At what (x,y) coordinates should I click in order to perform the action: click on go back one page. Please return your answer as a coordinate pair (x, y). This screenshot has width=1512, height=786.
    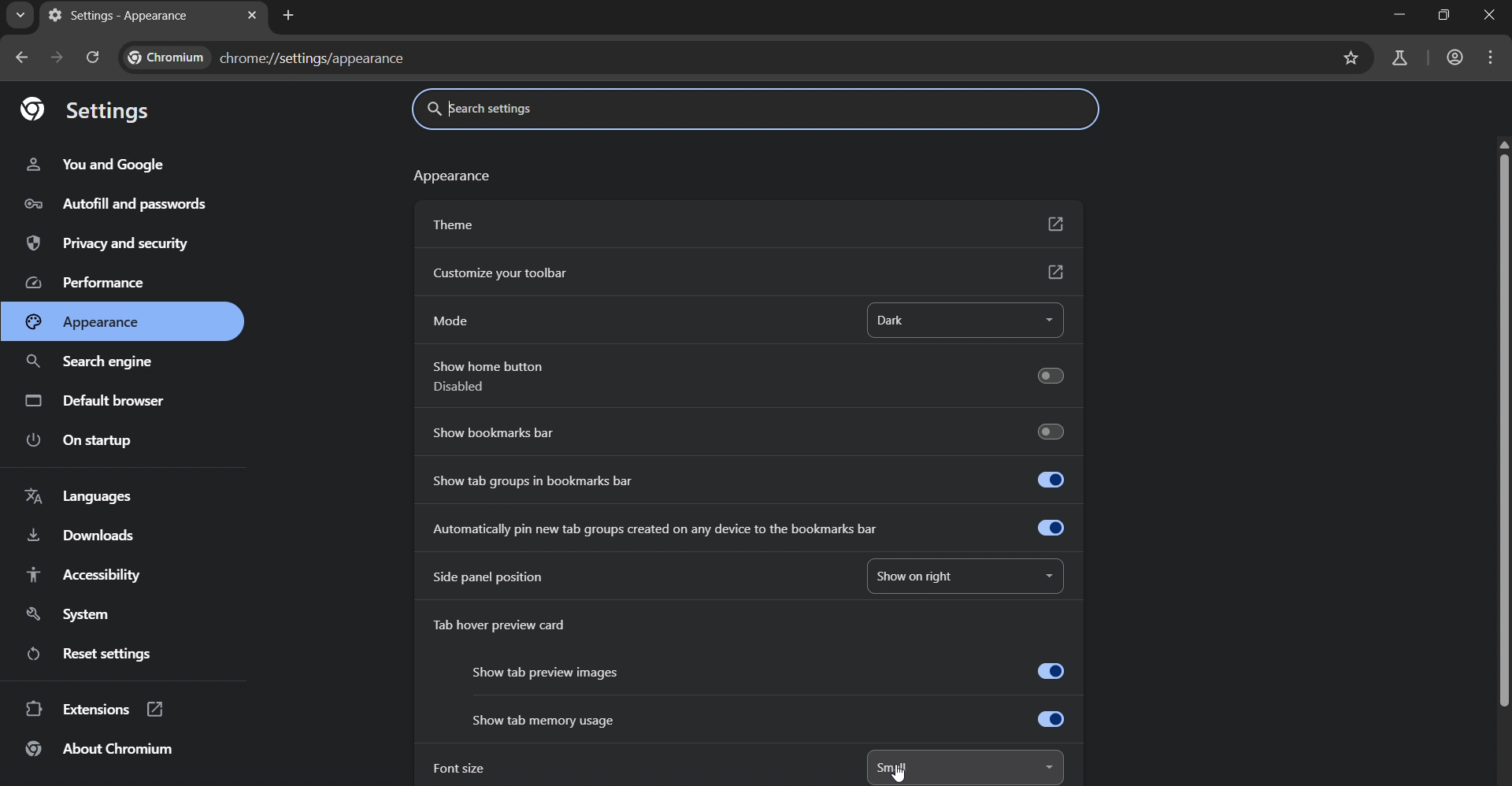
    Looking at the image, I should click on (18, 58).